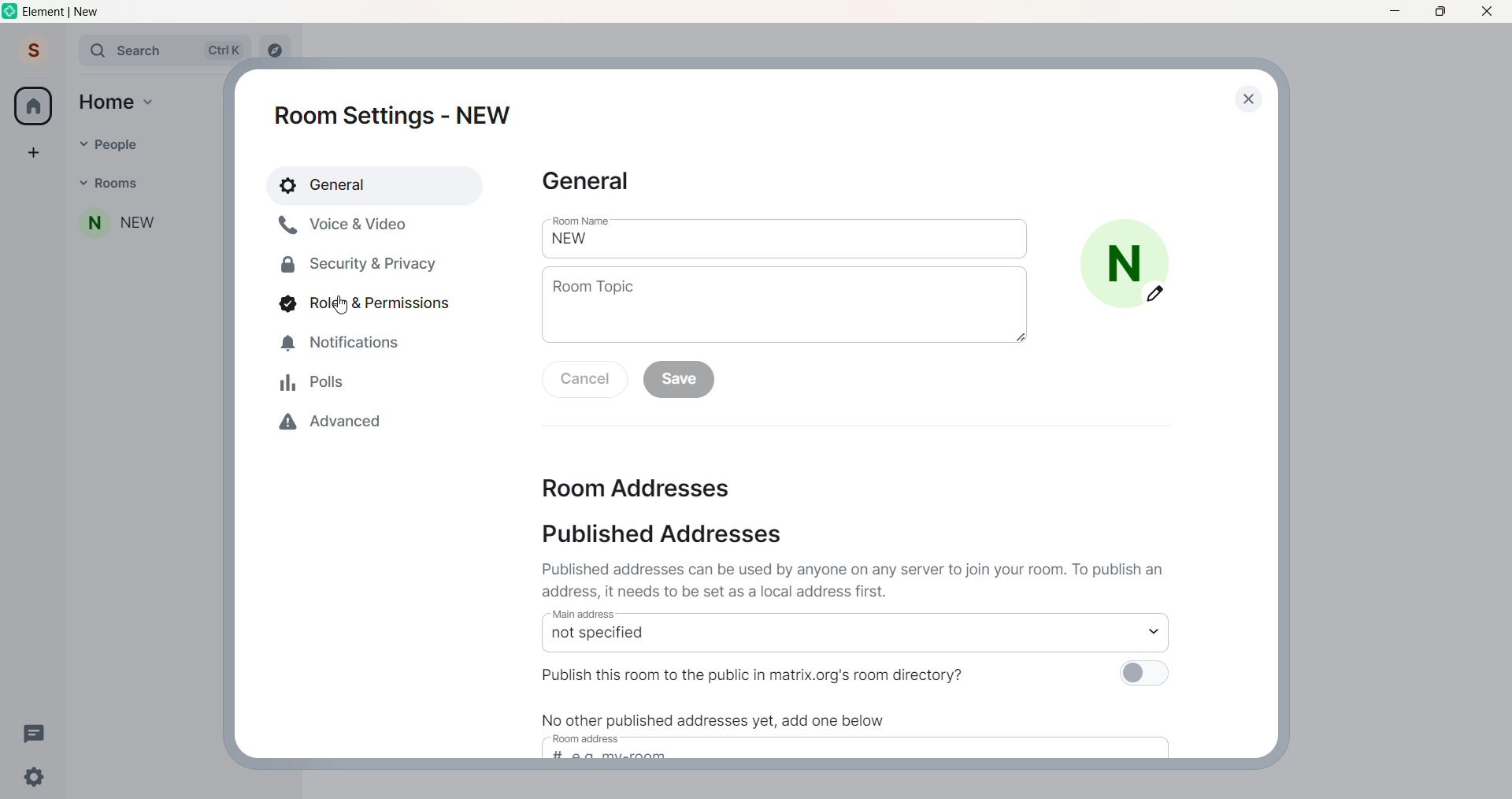  I want to click on user, so click(34, 50).